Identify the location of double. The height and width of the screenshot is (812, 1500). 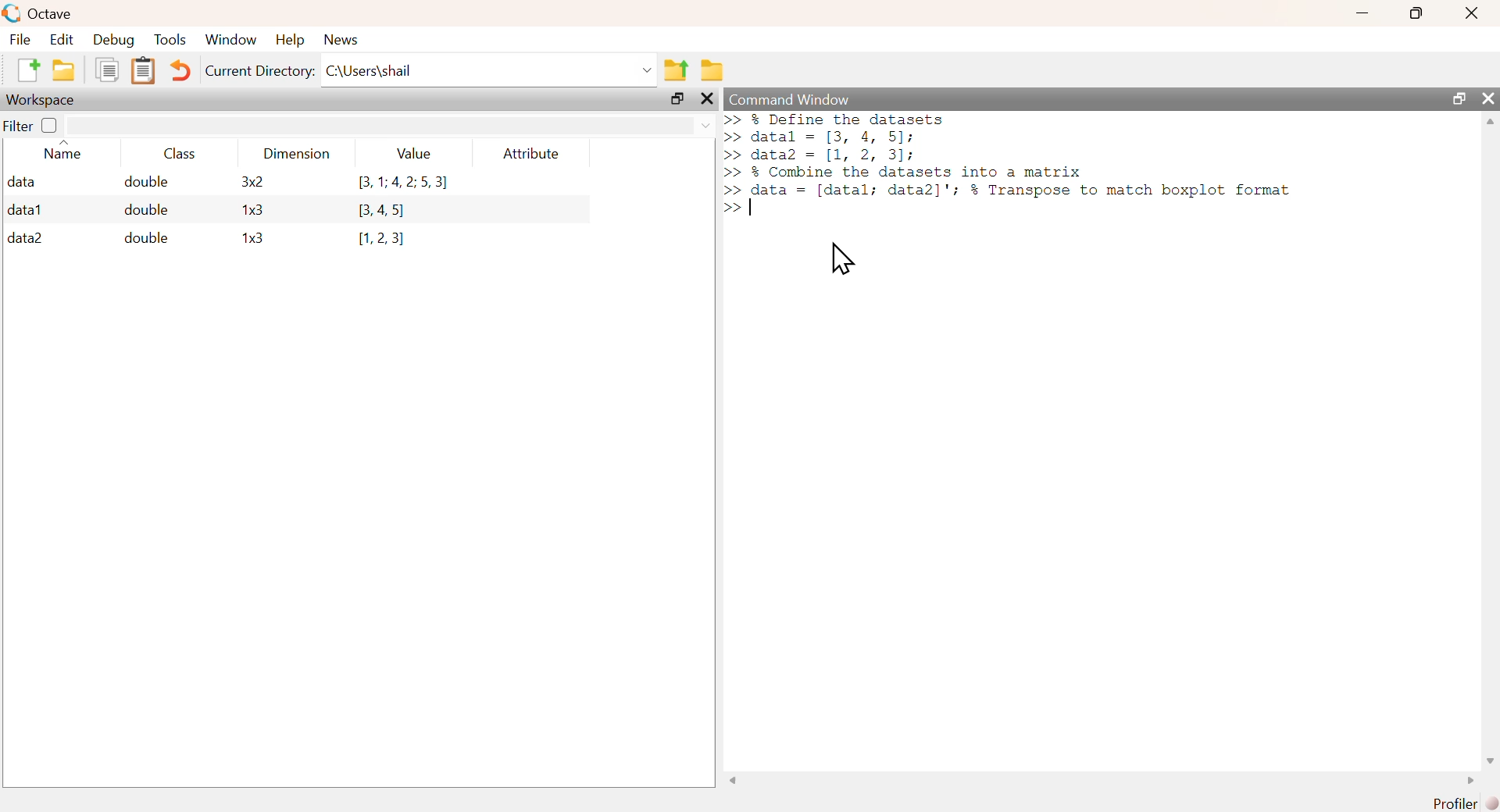
(144, 182).